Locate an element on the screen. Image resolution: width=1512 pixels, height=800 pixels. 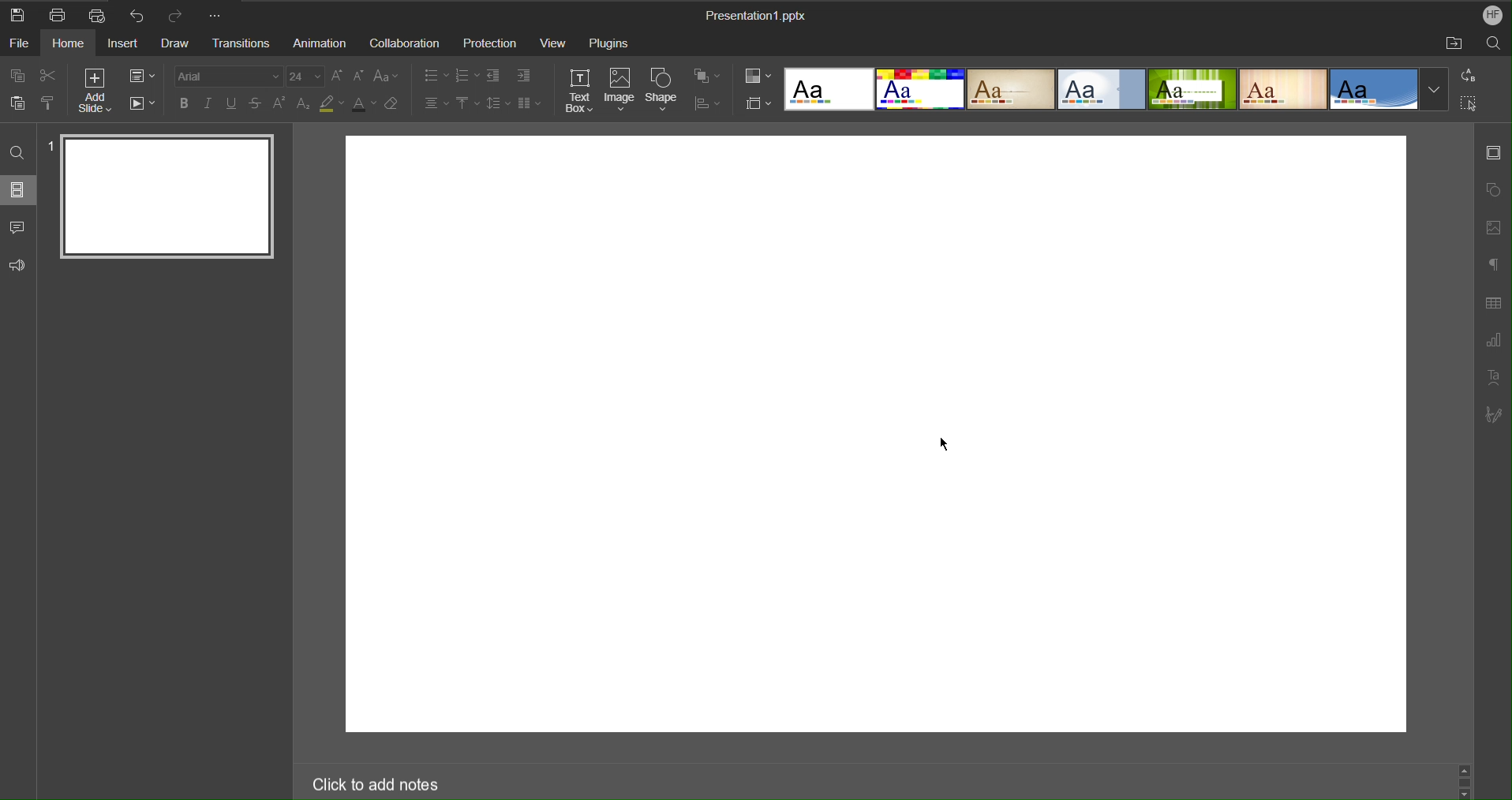
Find is located at coordinates (20, 151).